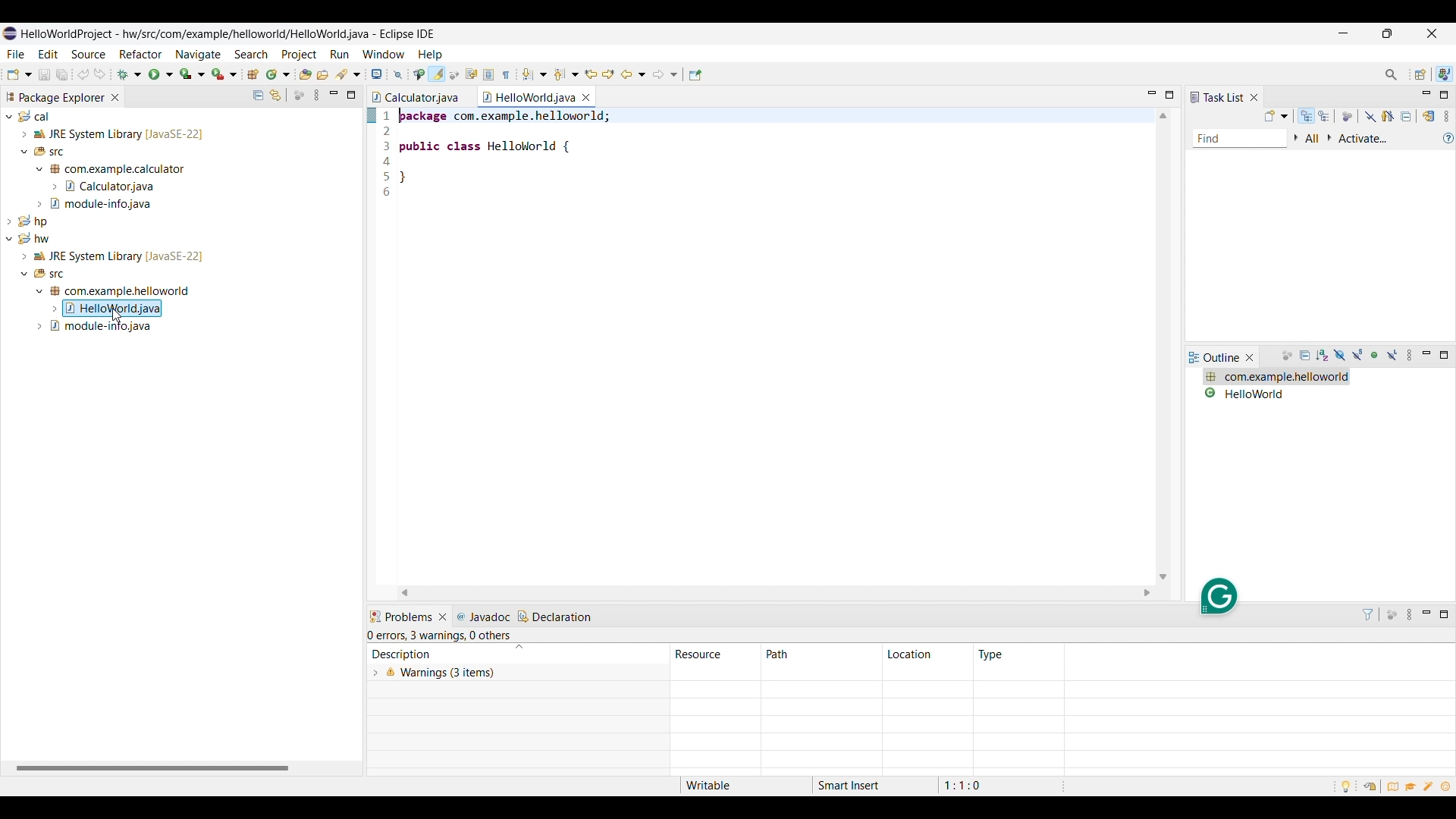  What do you see at coordinates (519, 648) in the screenshot?
I see `Sort` at bounding box center [519, 648].